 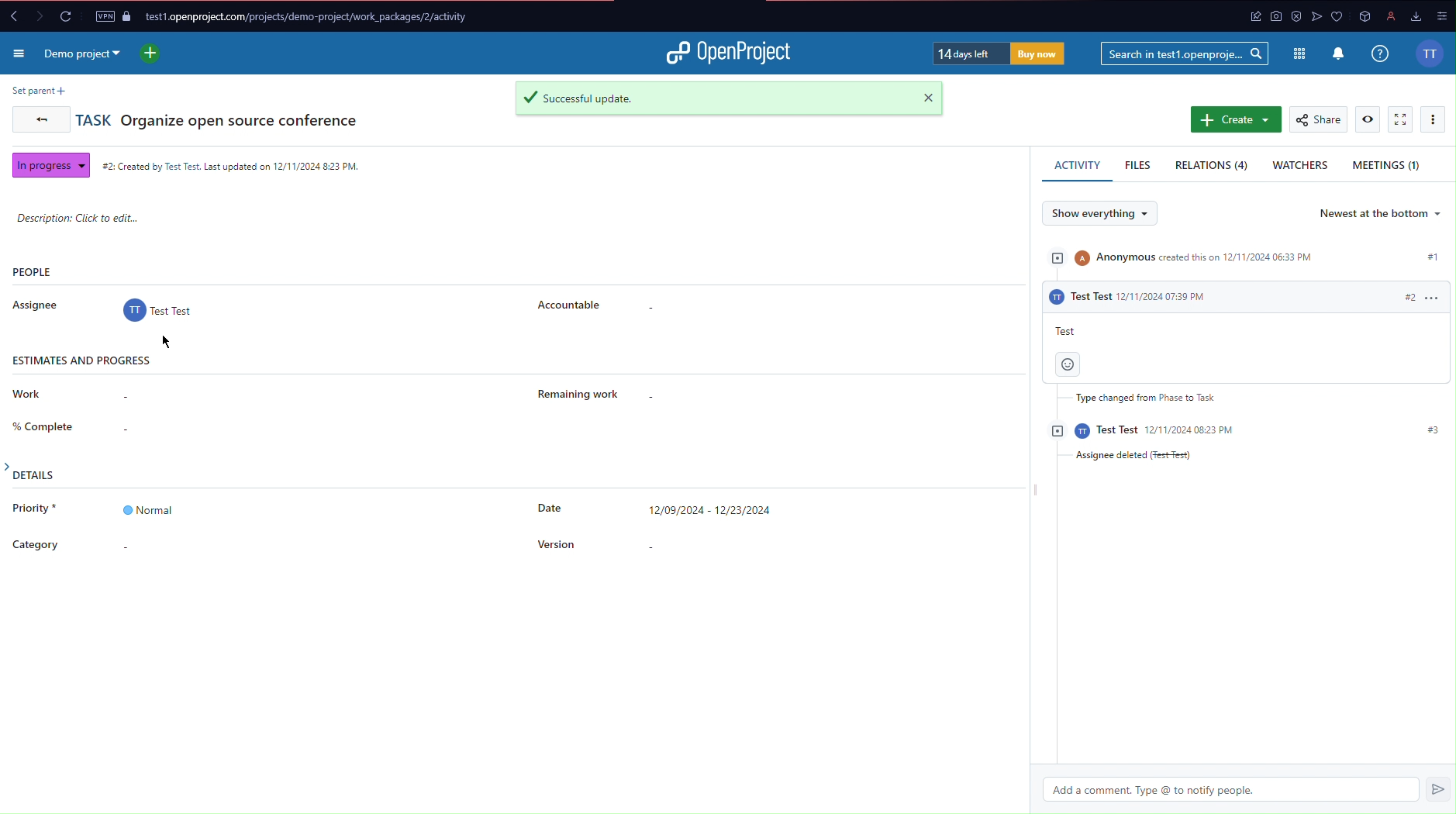 I want to click on Estimates and progress, so click(x=82, y=360).